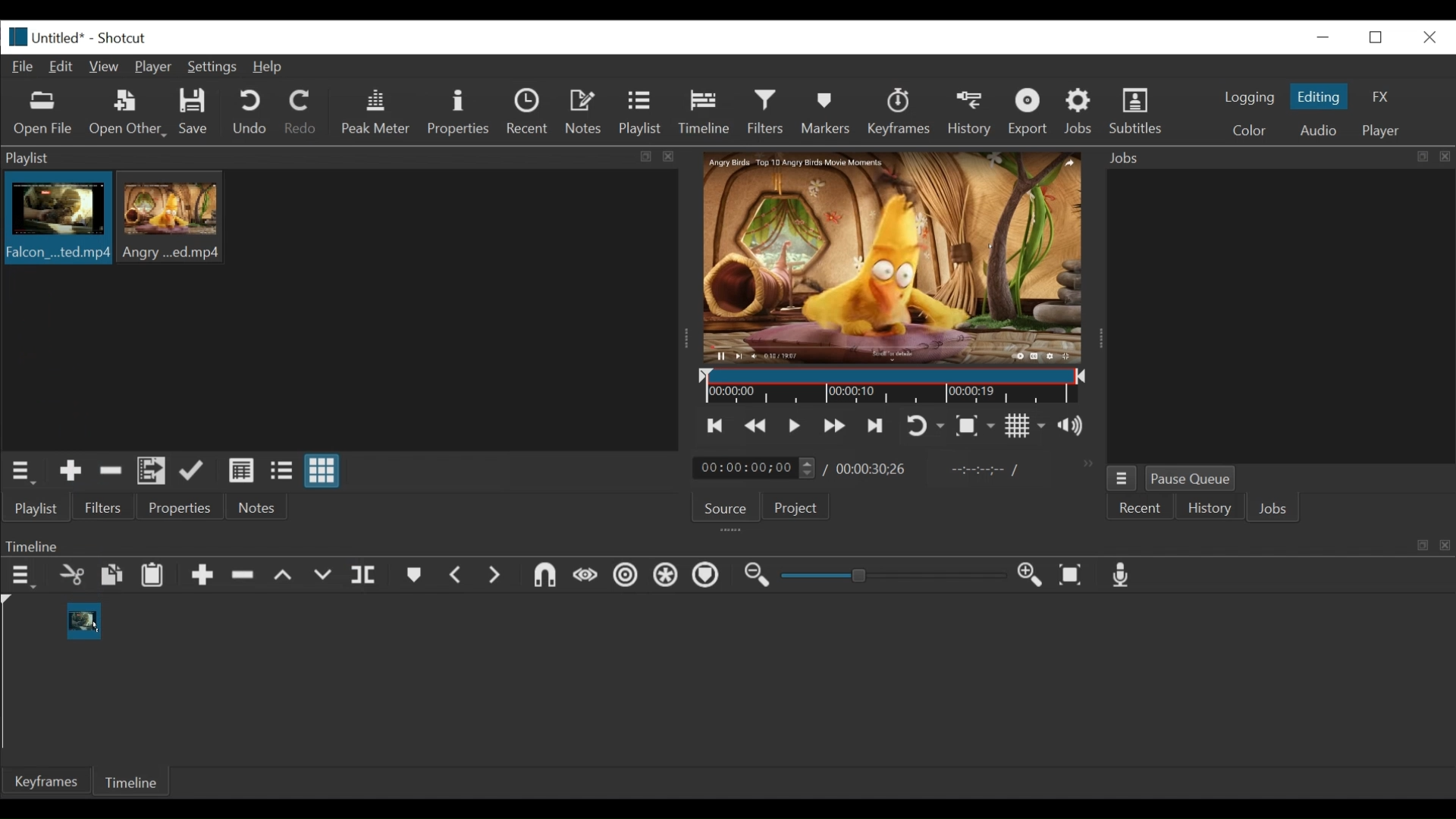 This screenshot has height=819, width=1456. Describe the element at coordinates (104, 508) in the screenshot. I see `Filters` at that location.